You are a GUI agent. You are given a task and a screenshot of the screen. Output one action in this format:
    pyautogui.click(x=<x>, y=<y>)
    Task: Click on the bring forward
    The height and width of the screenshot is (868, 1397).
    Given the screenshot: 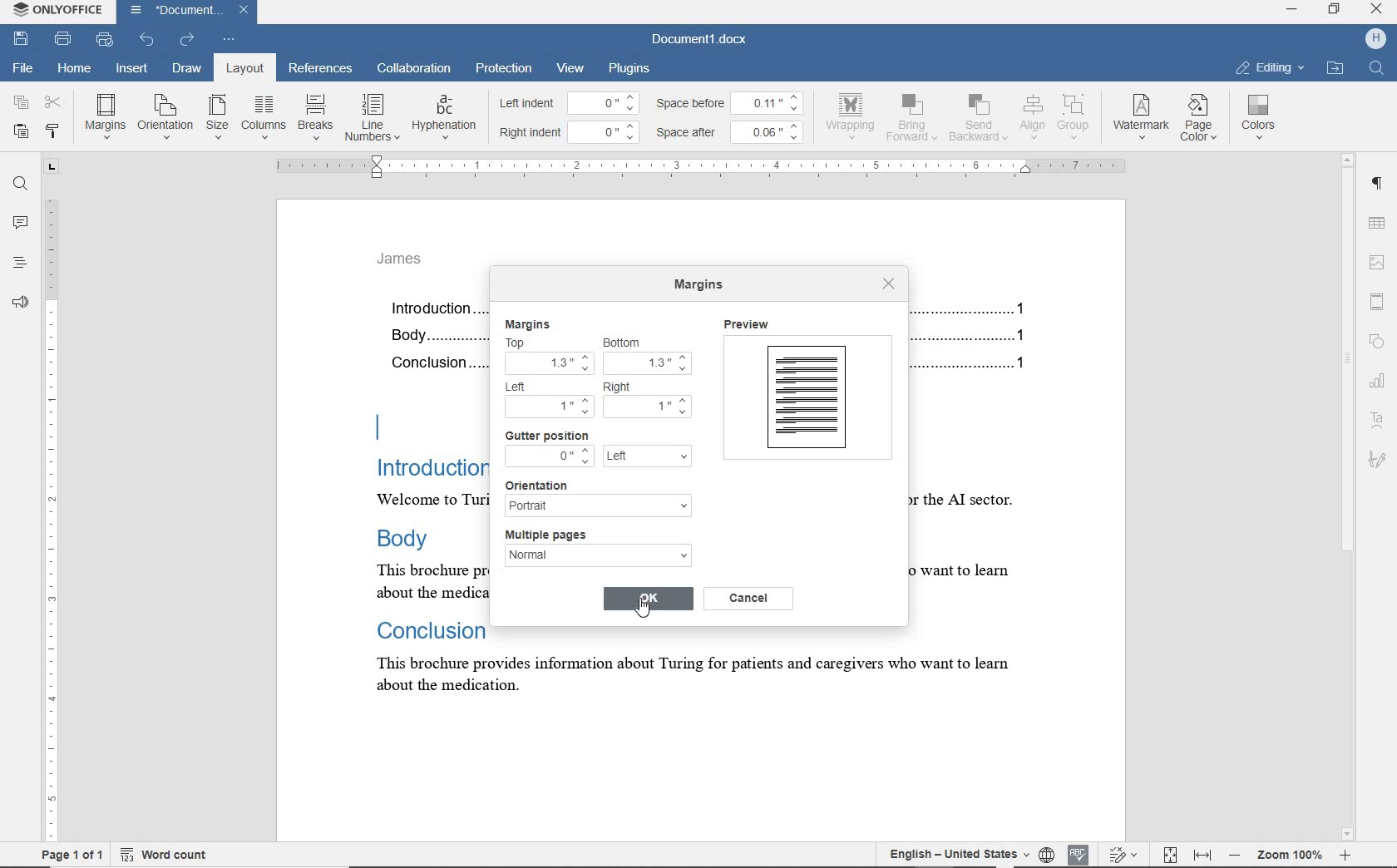 What is the action you would take?
    pyautogui.click(x=914, y=121)
    